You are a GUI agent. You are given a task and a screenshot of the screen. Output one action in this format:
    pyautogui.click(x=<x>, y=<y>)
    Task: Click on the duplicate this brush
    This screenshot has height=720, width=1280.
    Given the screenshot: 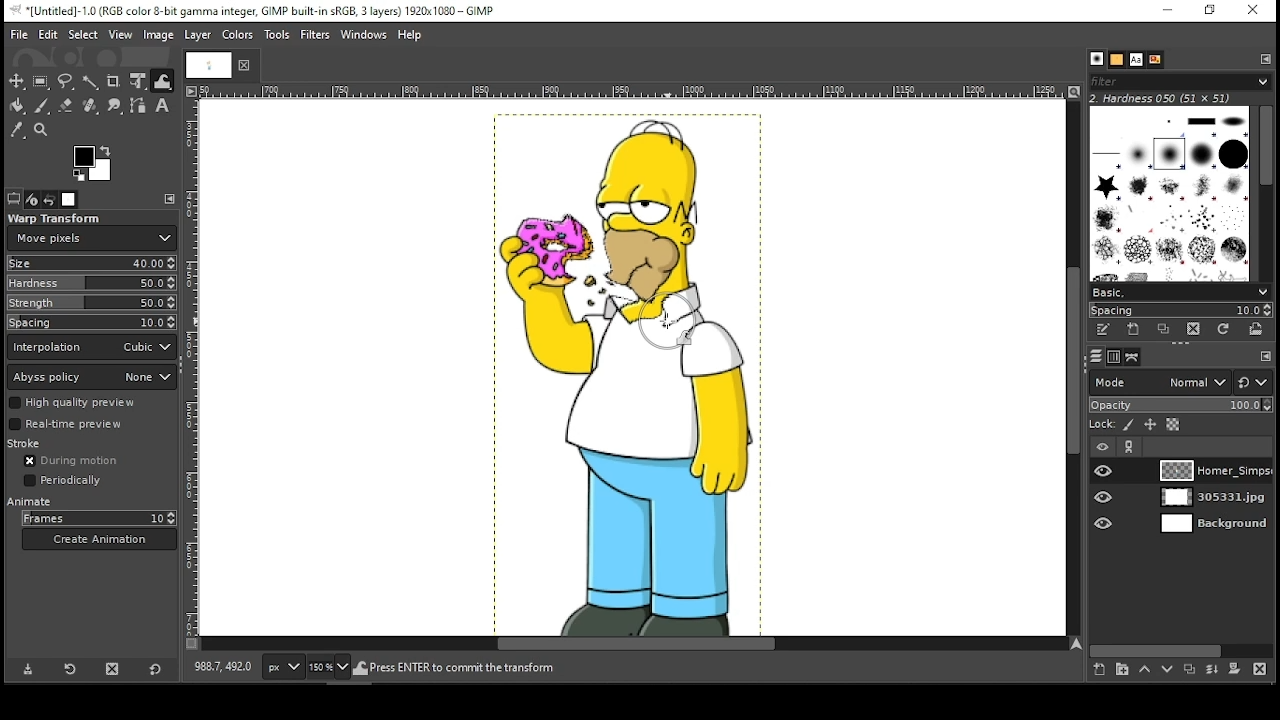 What is the action you would take?
    pyautogui.click(x=1164, y=330)
    